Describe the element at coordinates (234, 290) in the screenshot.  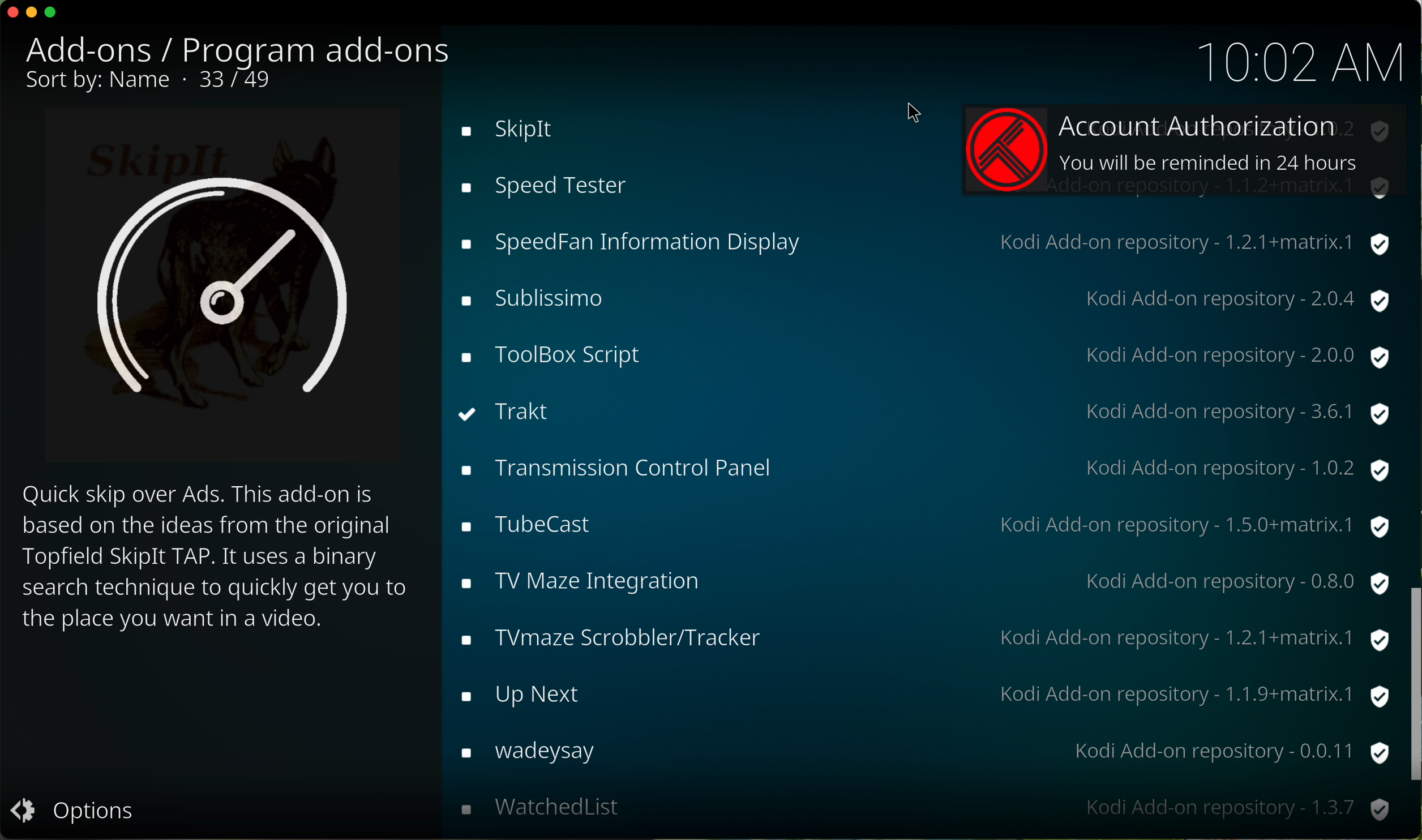
I see `image` at that location.